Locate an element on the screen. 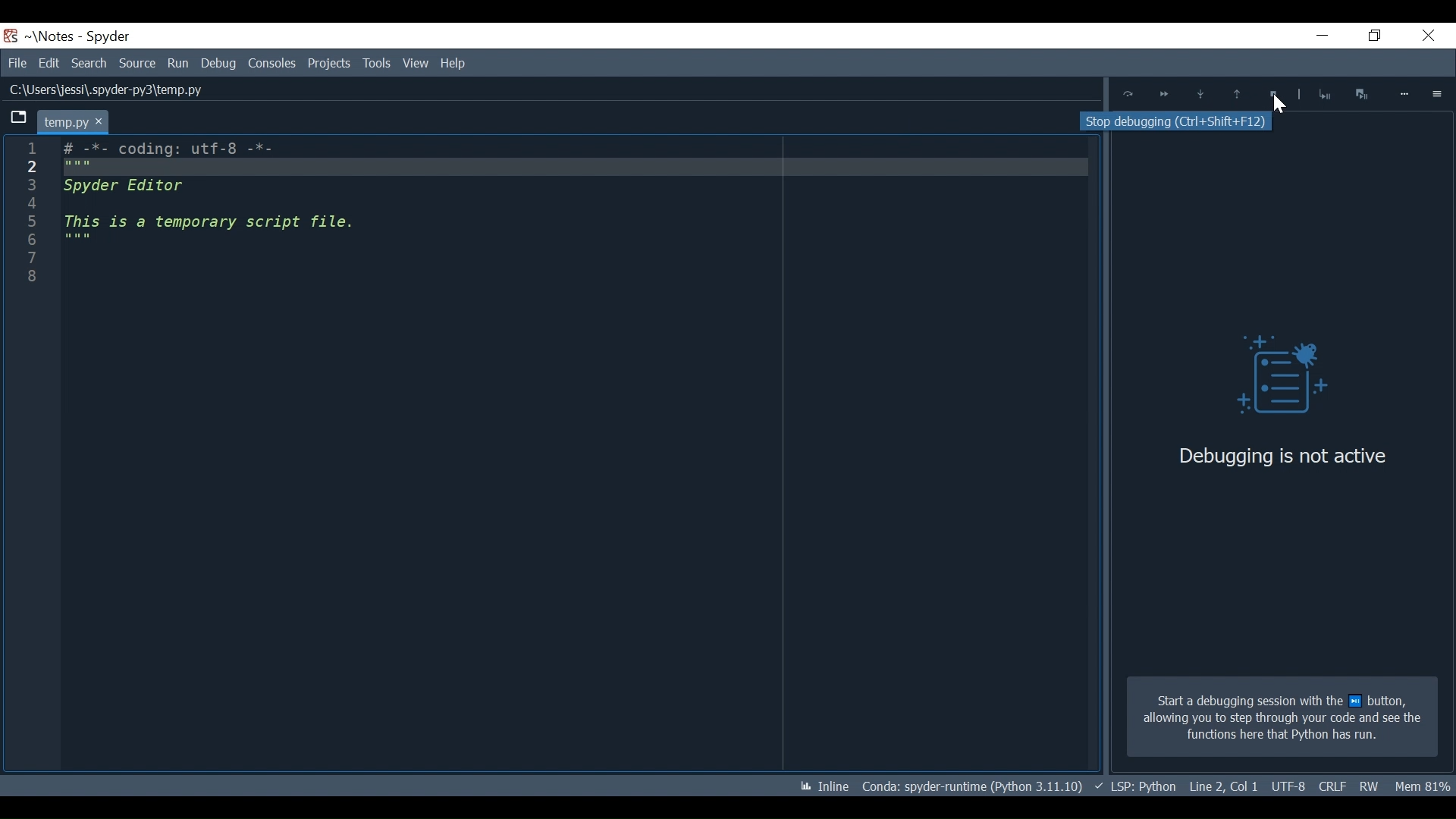 Image resolution: width=1456 pixels, height=819 pixels. Continue ExecutionUntil next breakpoint is located at coordinates (1163, 96).